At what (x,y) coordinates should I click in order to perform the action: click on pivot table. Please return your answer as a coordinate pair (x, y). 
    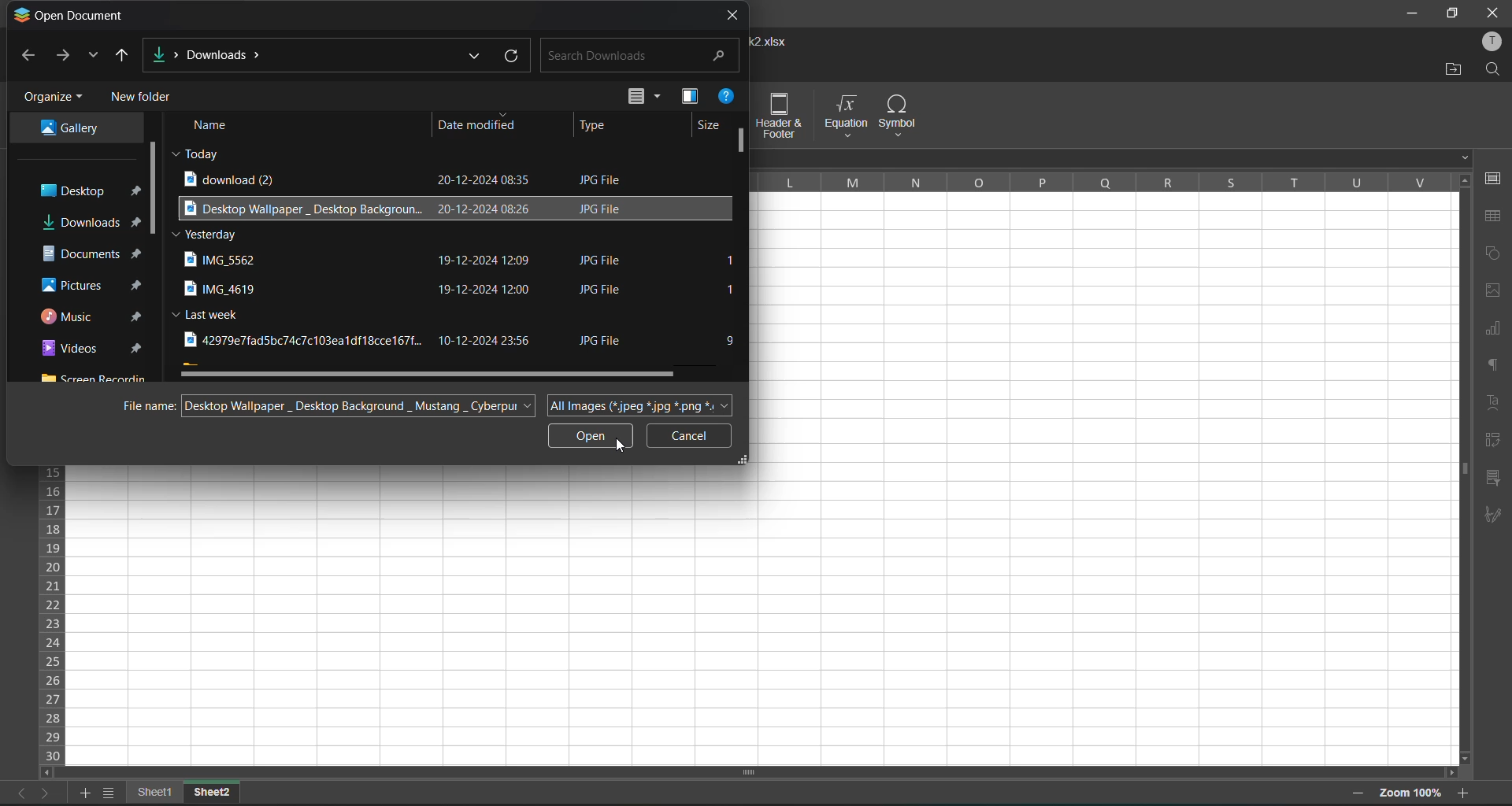
    Looking at the image, I should click on (1496, 440).